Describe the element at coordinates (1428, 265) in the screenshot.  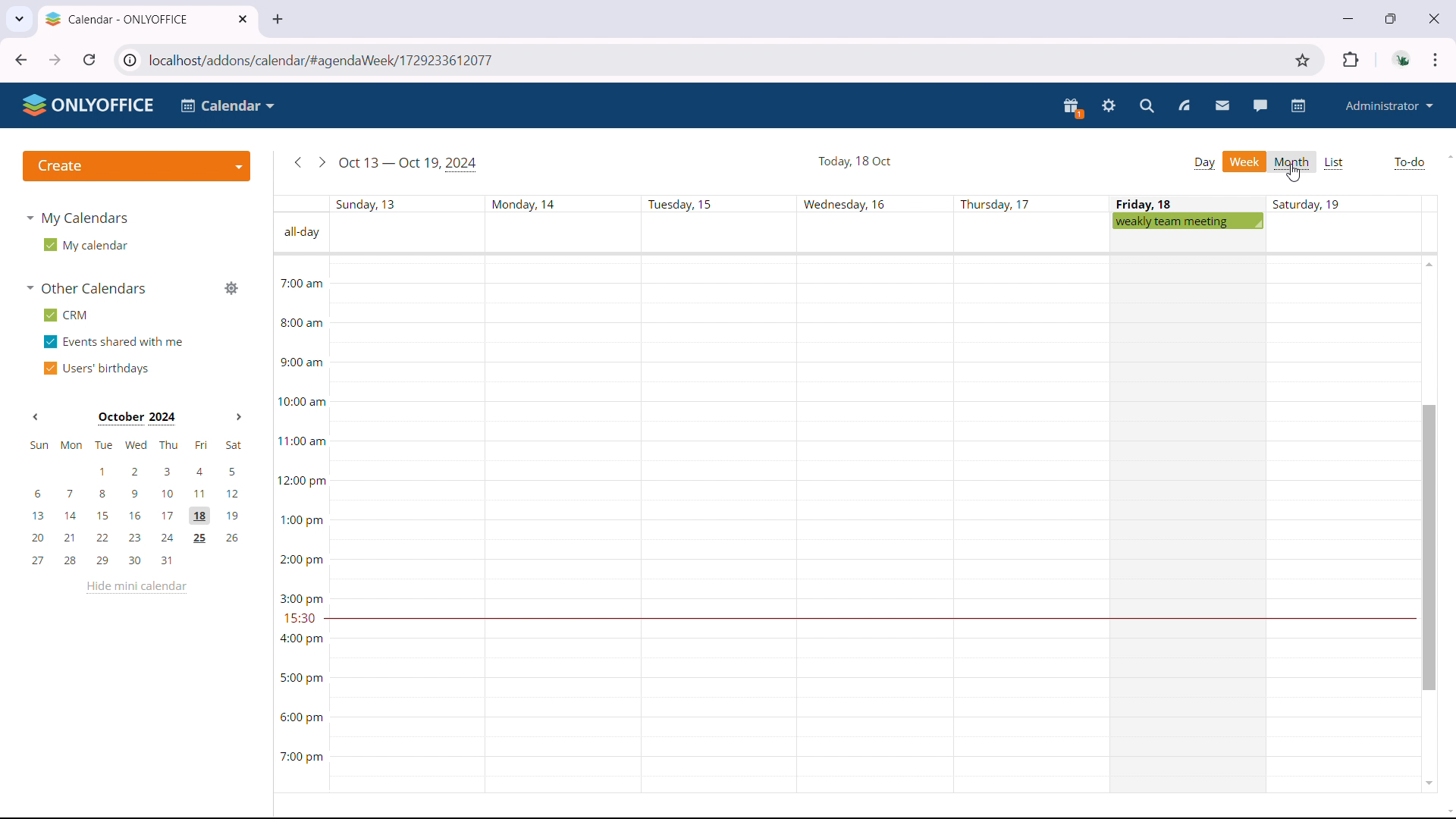
I see `scroll up in calendar` at that location.